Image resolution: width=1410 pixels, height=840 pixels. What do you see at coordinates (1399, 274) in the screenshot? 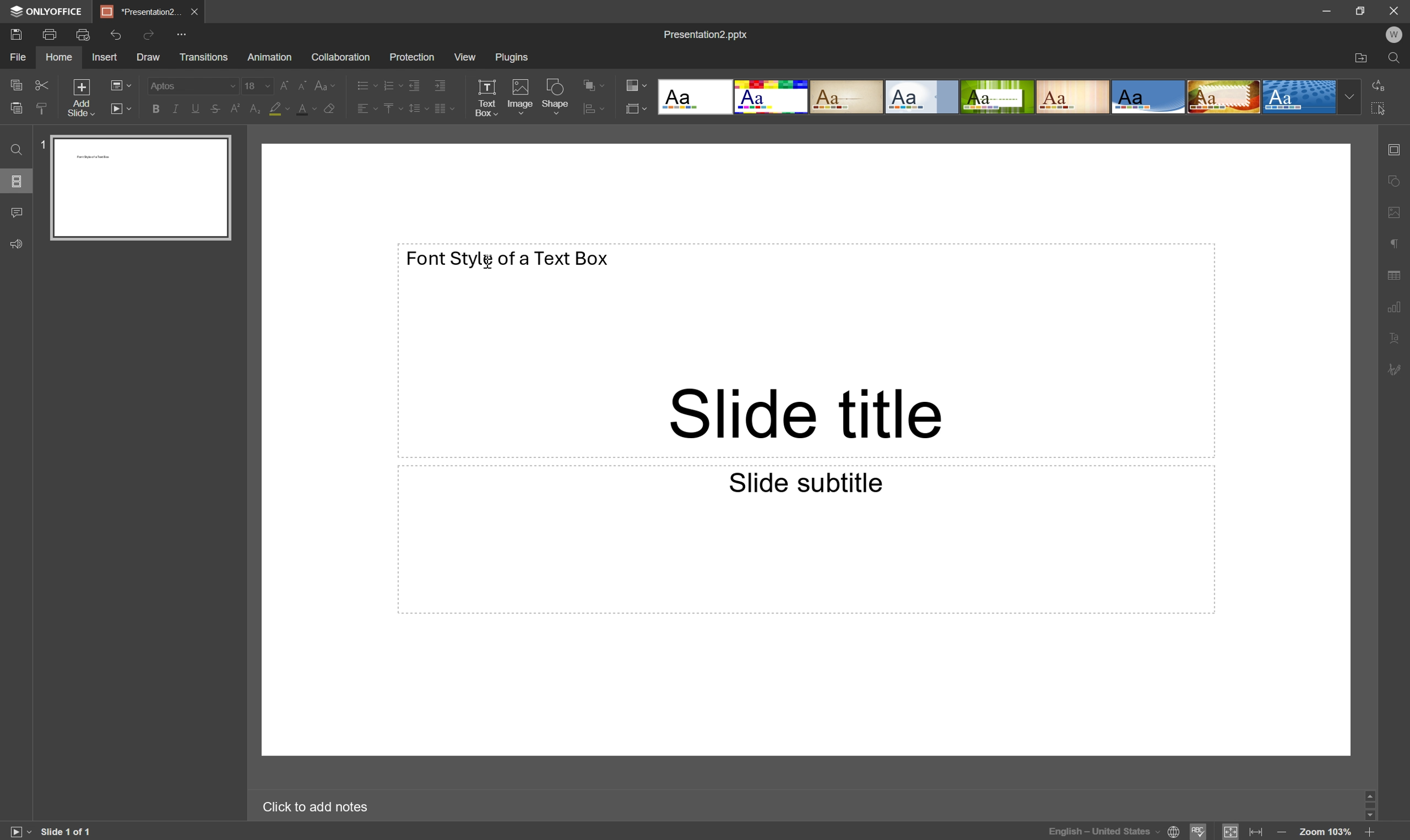
I see `Table settings` at bounding box center [1399, 274].